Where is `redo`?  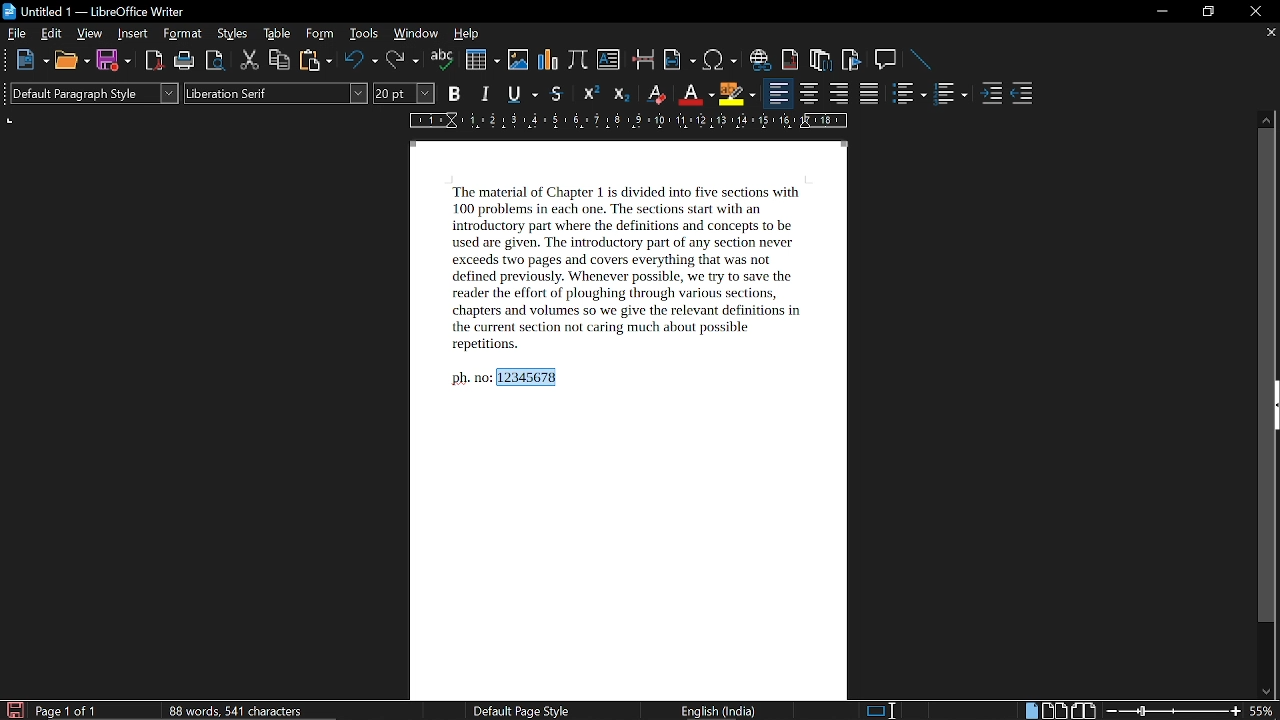
redo is located at coordinates (401, 61).